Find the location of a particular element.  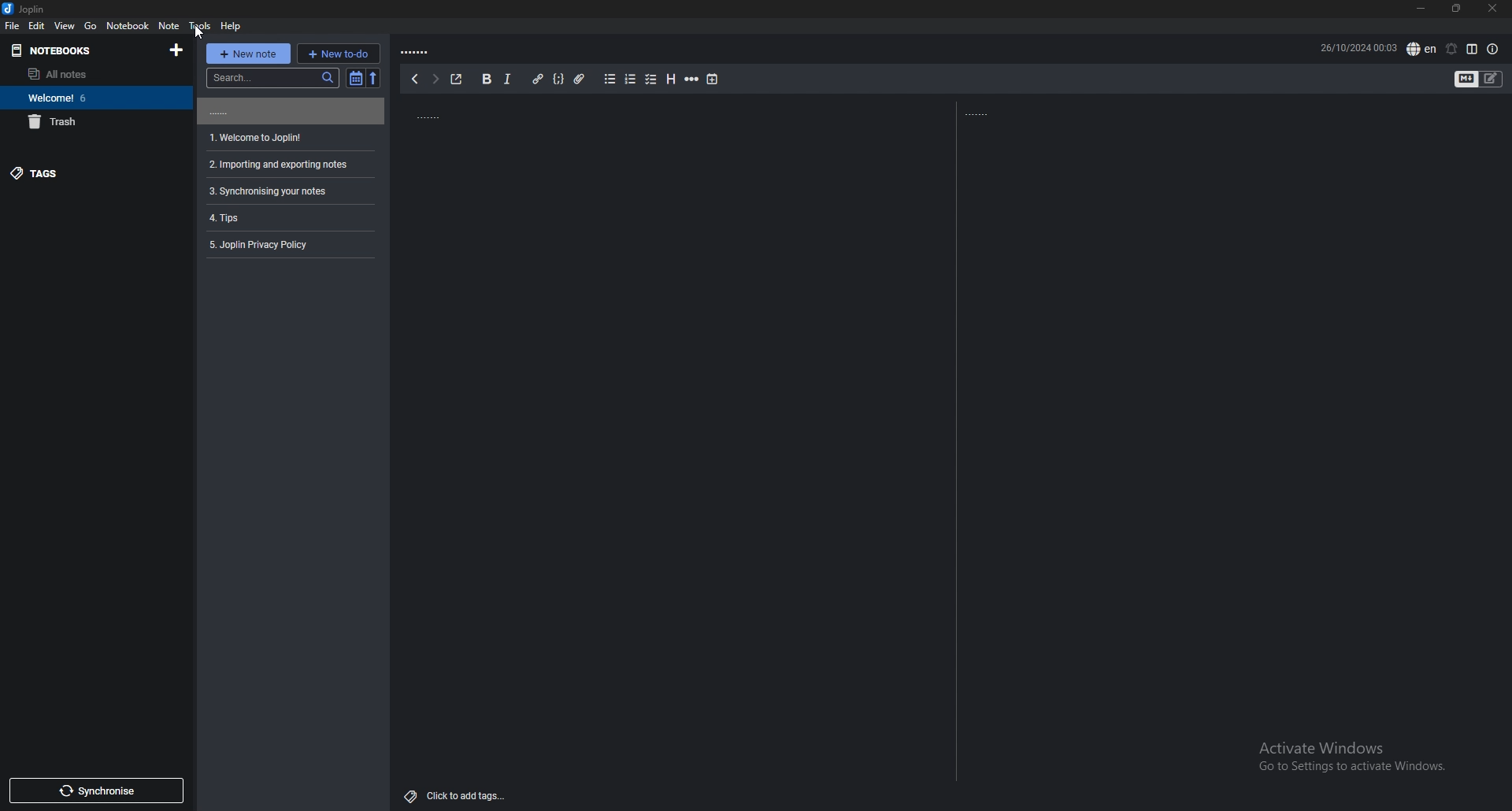

4.Tips is located at coordinates (237, 217).